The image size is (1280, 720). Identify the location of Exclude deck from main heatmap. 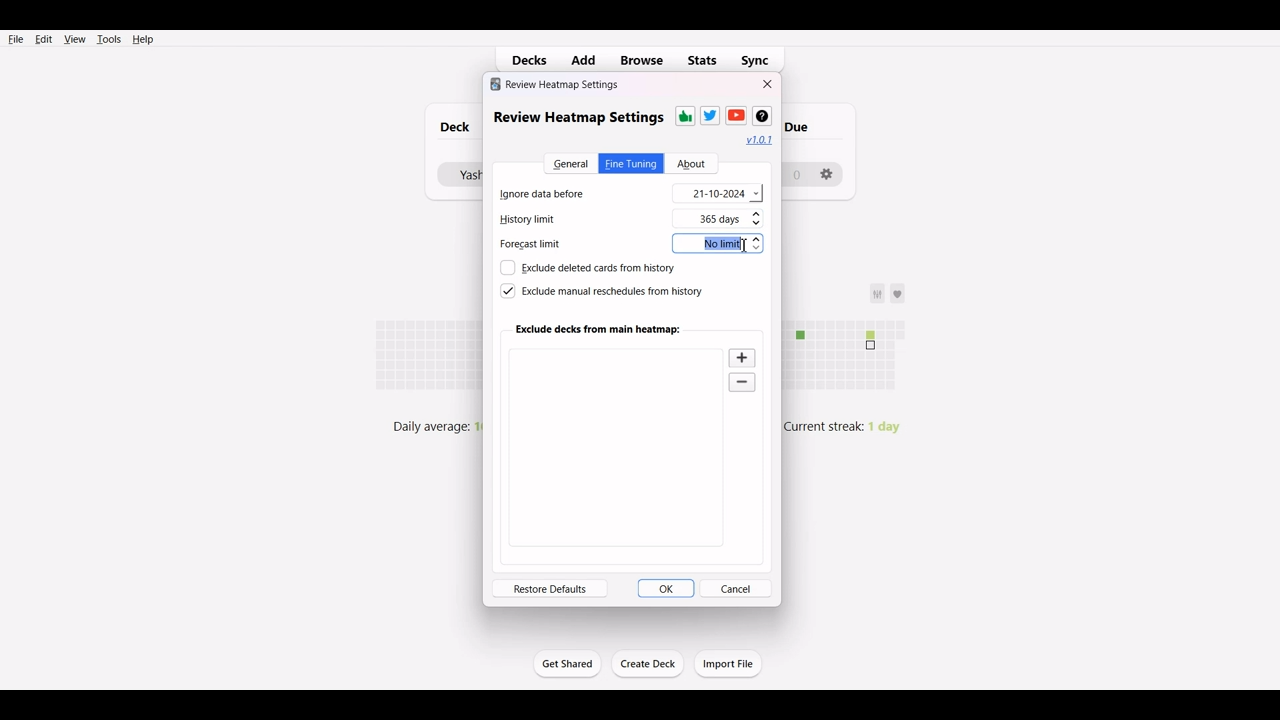
(599, 329).